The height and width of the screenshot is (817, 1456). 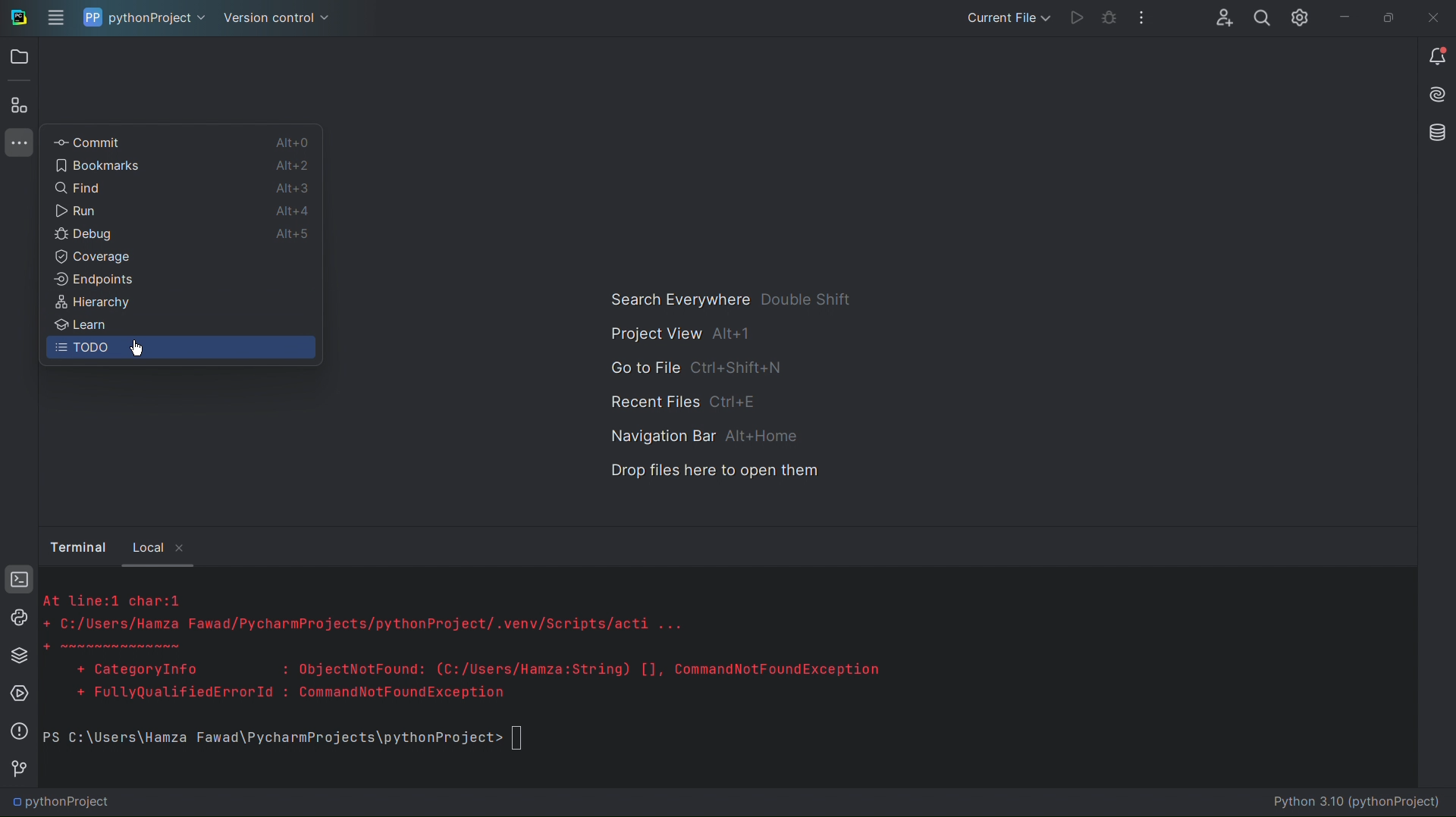 What do you see at coordinates (158, 544) in the screenshot?
I see `Local` at bounding box center [158, 544].